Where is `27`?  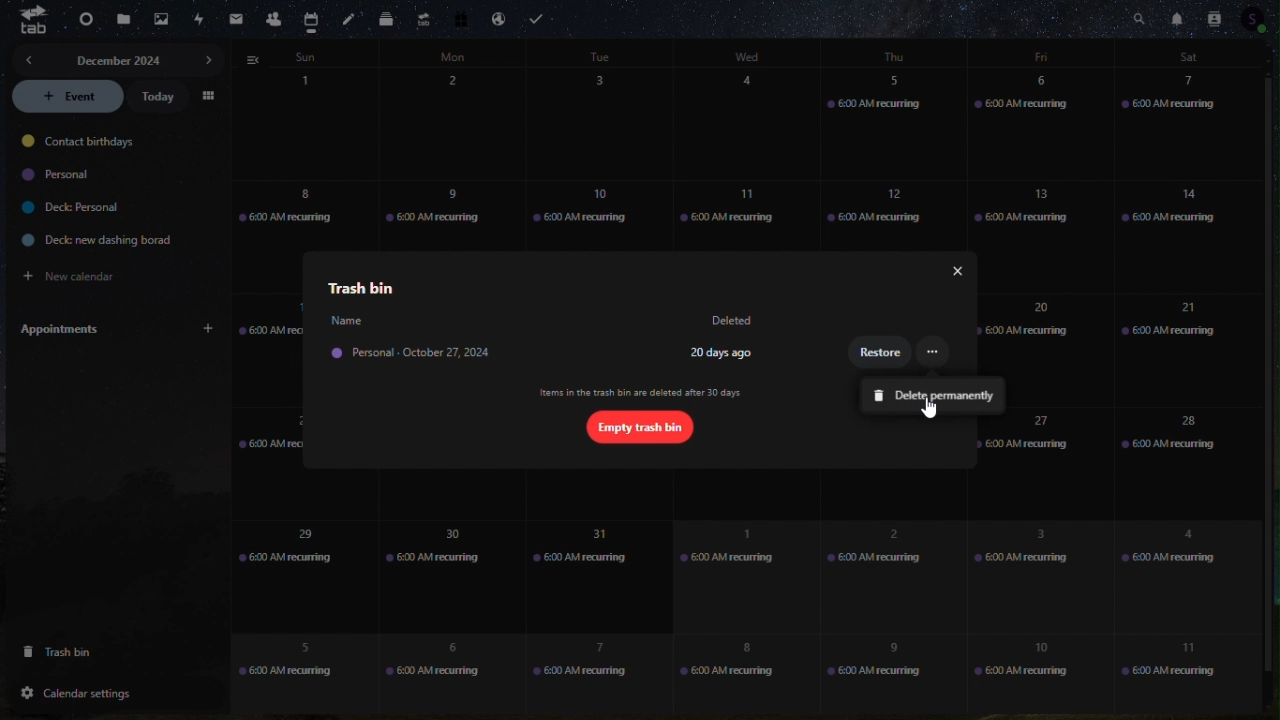
27 is located at coordinates (1029, 455).